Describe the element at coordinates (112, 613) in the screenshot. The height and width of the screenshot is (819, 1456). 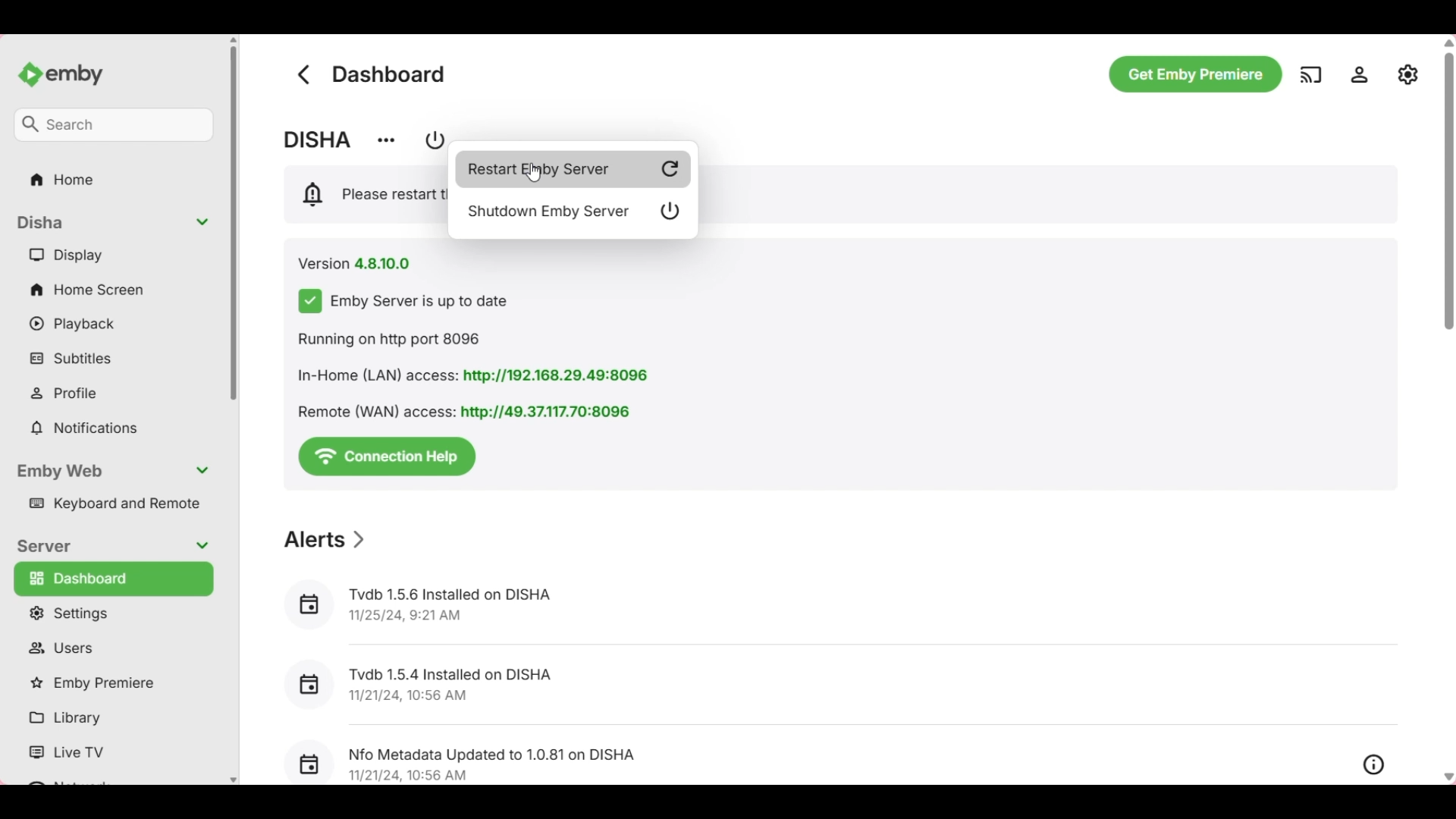
I see `Settings` at that location.